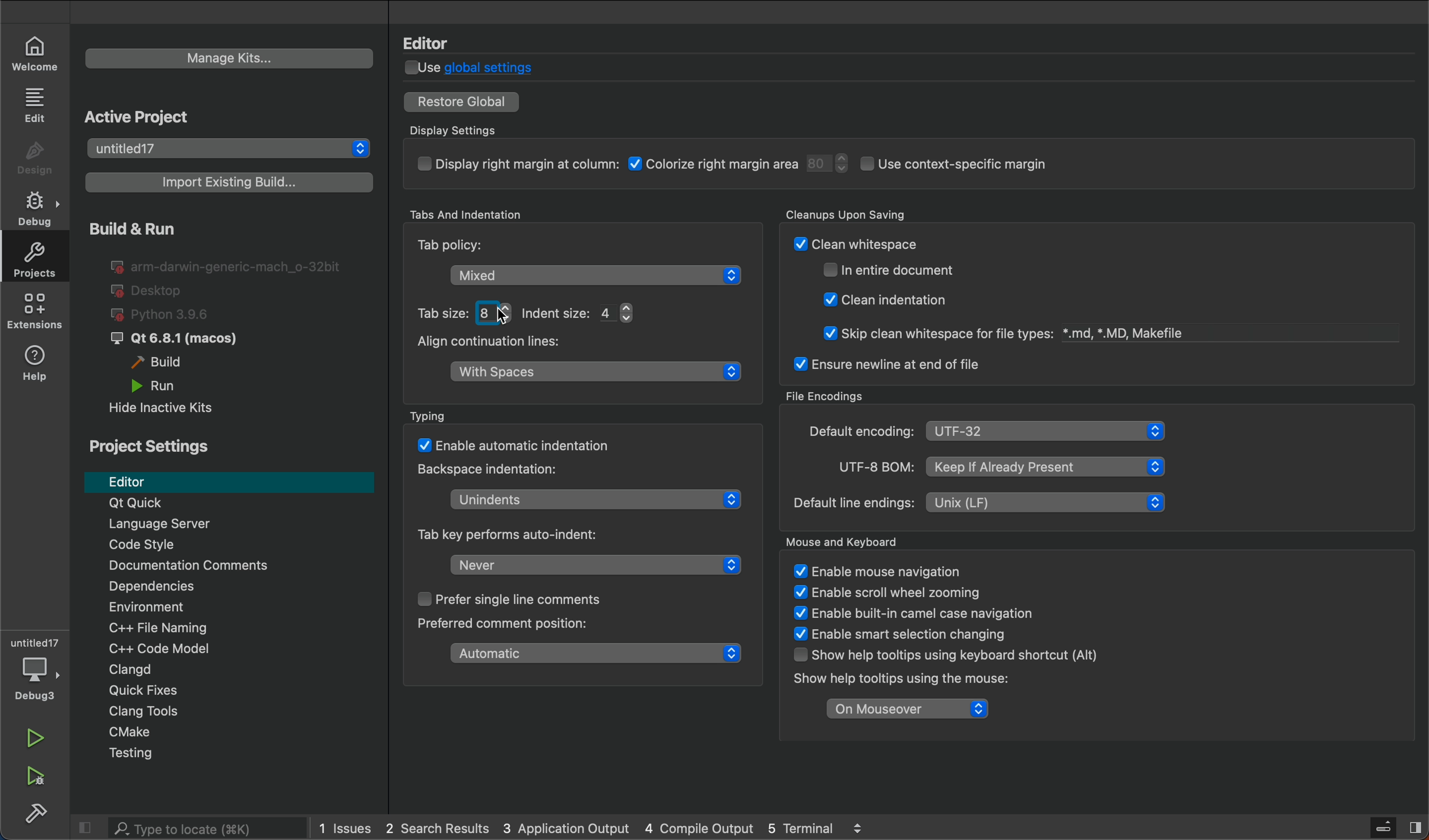 The image size is (1429, 840). I want to click on , so click(531, 447).